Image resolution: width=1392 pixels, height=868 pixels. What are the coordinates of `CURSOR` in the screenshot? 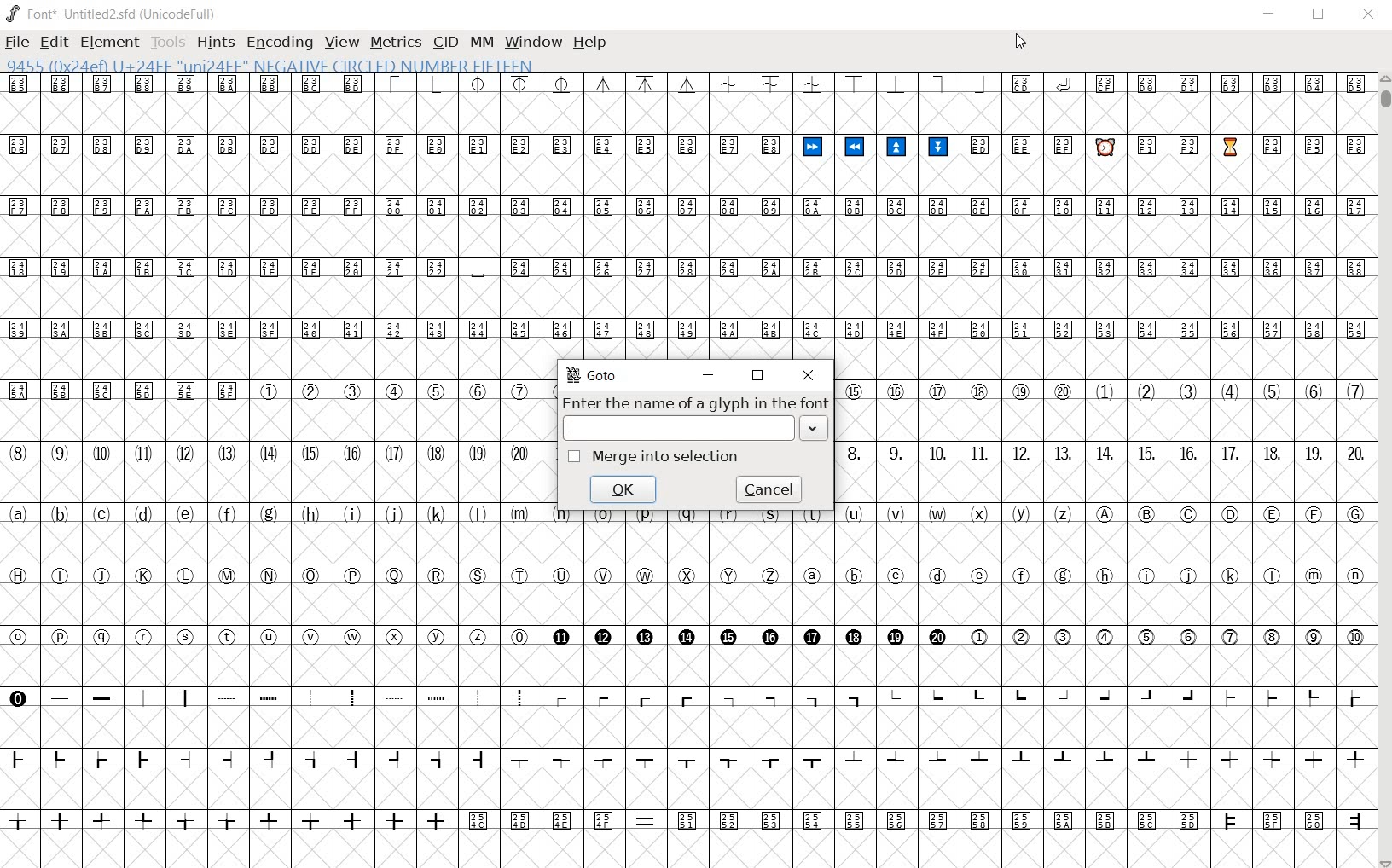 It's located at (1019, 42).